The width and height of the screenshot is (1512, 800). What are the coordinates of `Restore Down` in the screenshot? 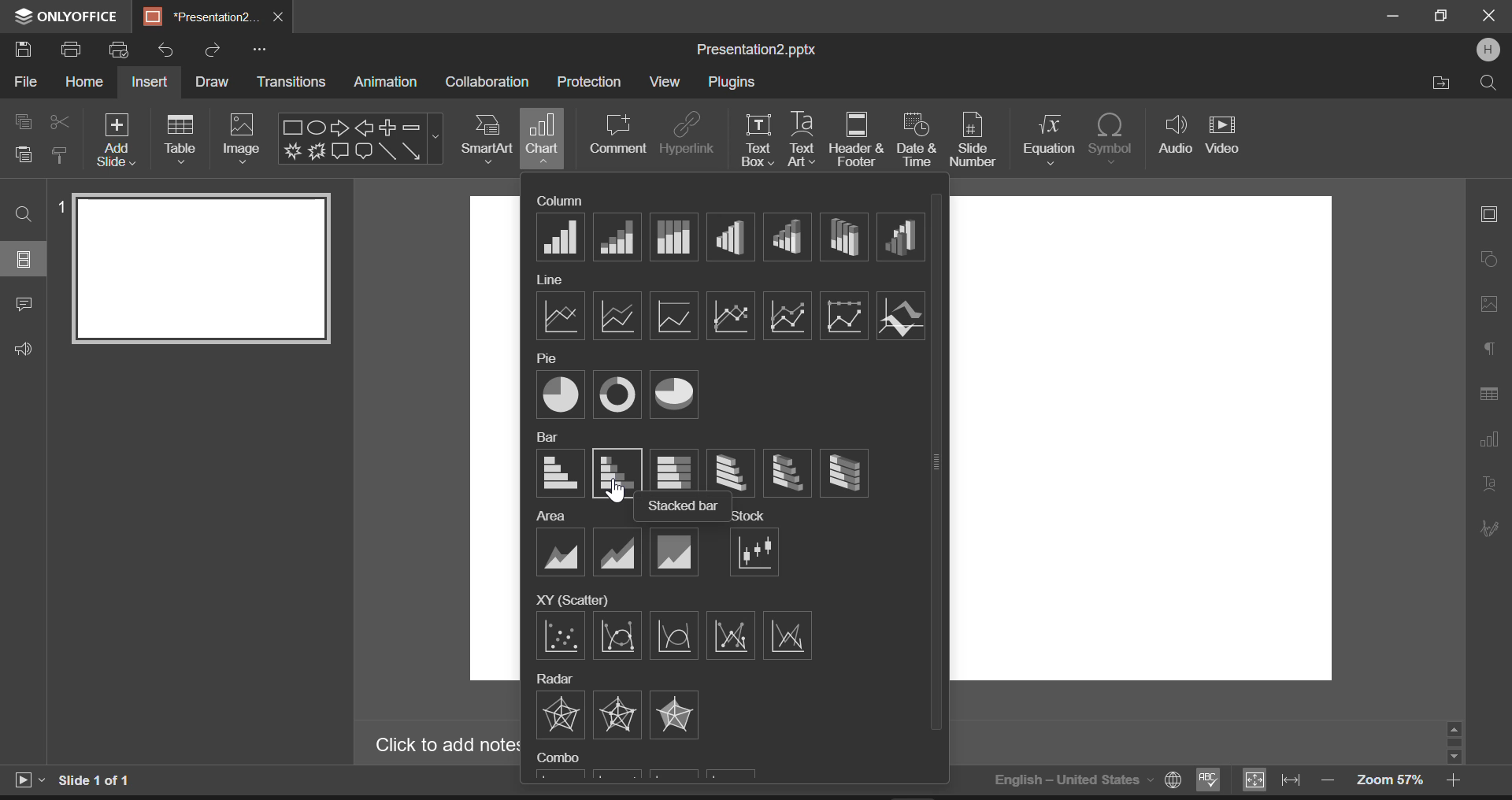 It's located at (1395, 17).